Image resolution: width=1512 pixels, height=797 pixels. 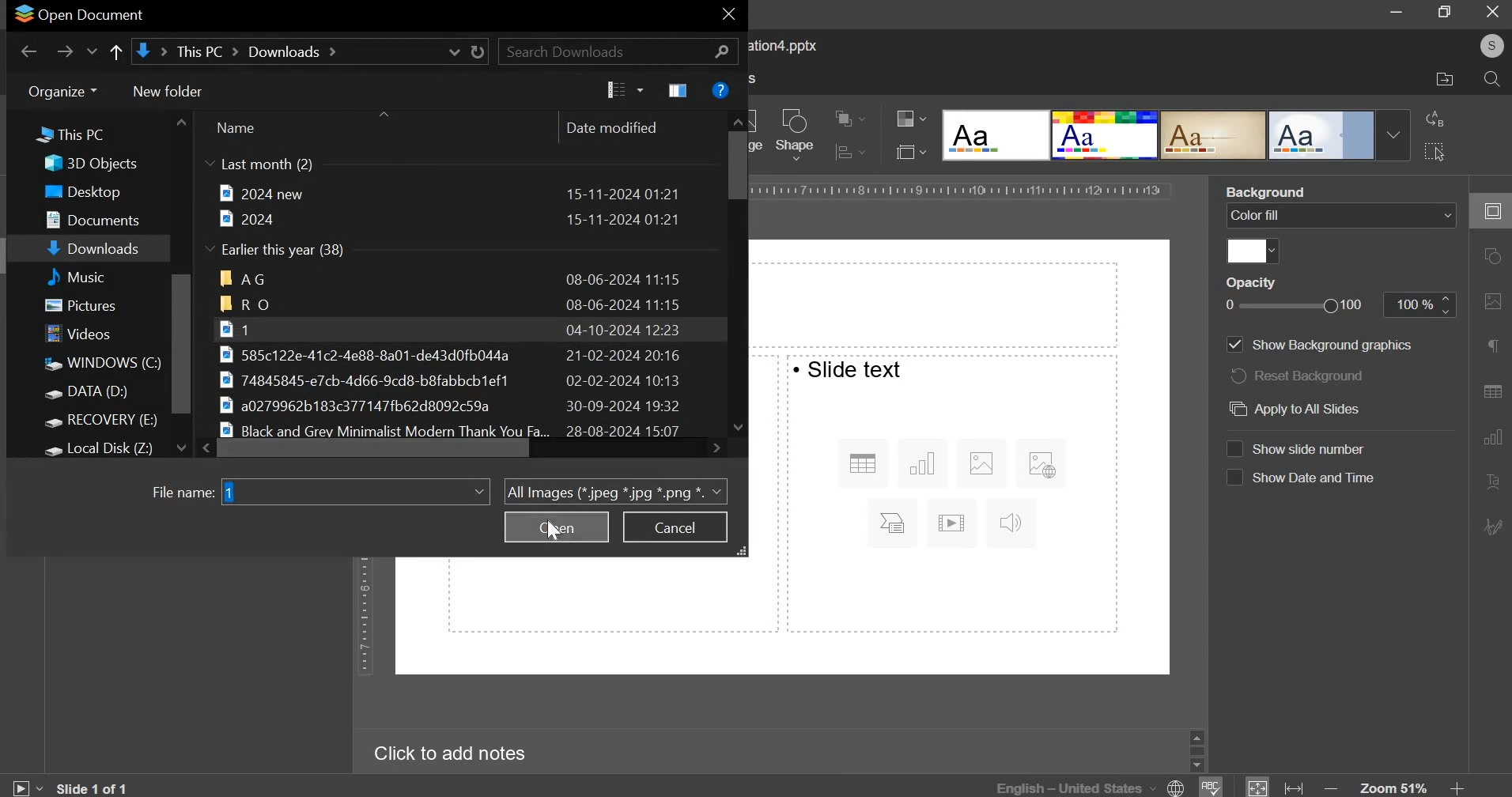 I want to click on file, so click(x=448, y=193).